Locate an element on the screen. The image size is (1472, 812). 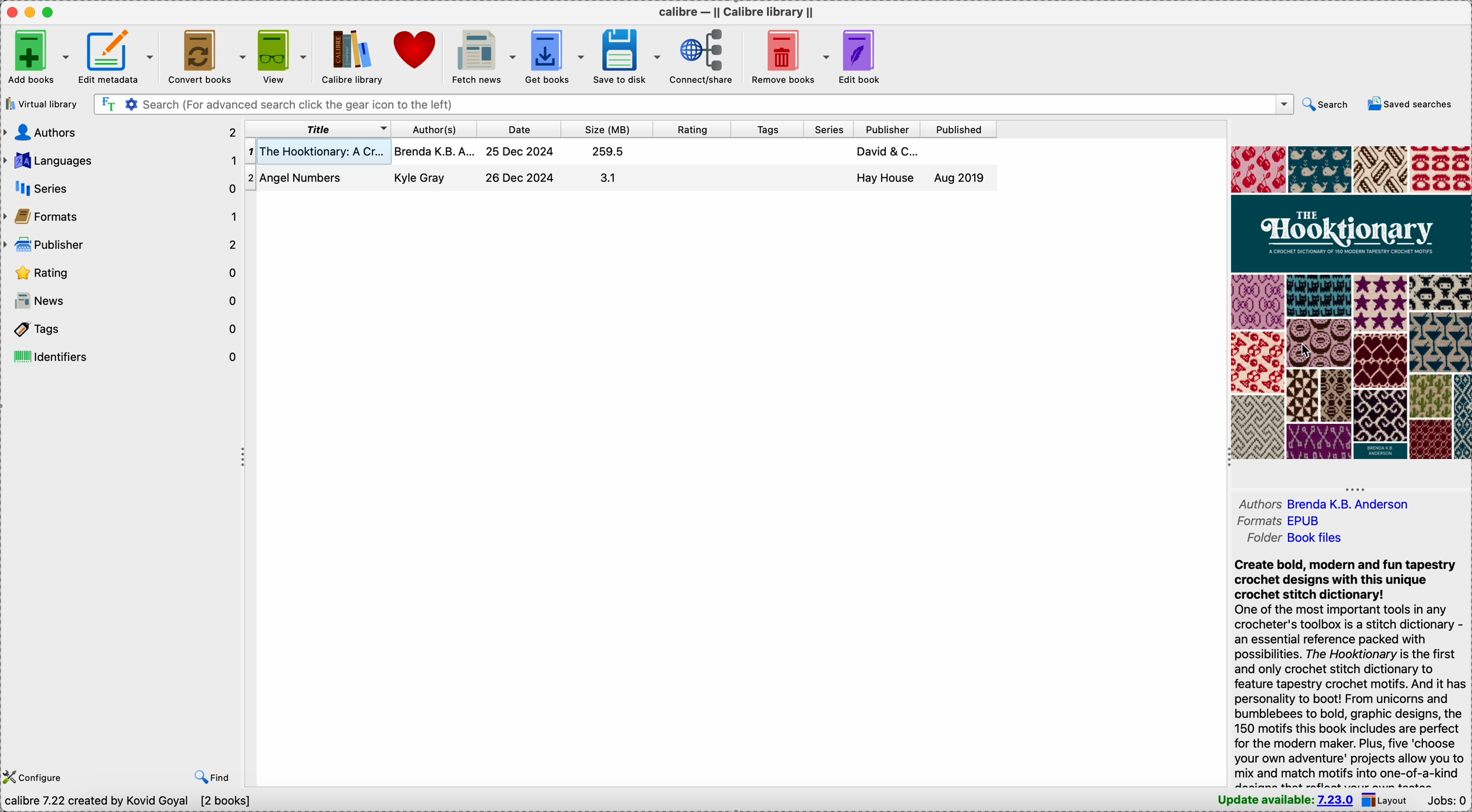
formats is located at coordinates (1275, 522).